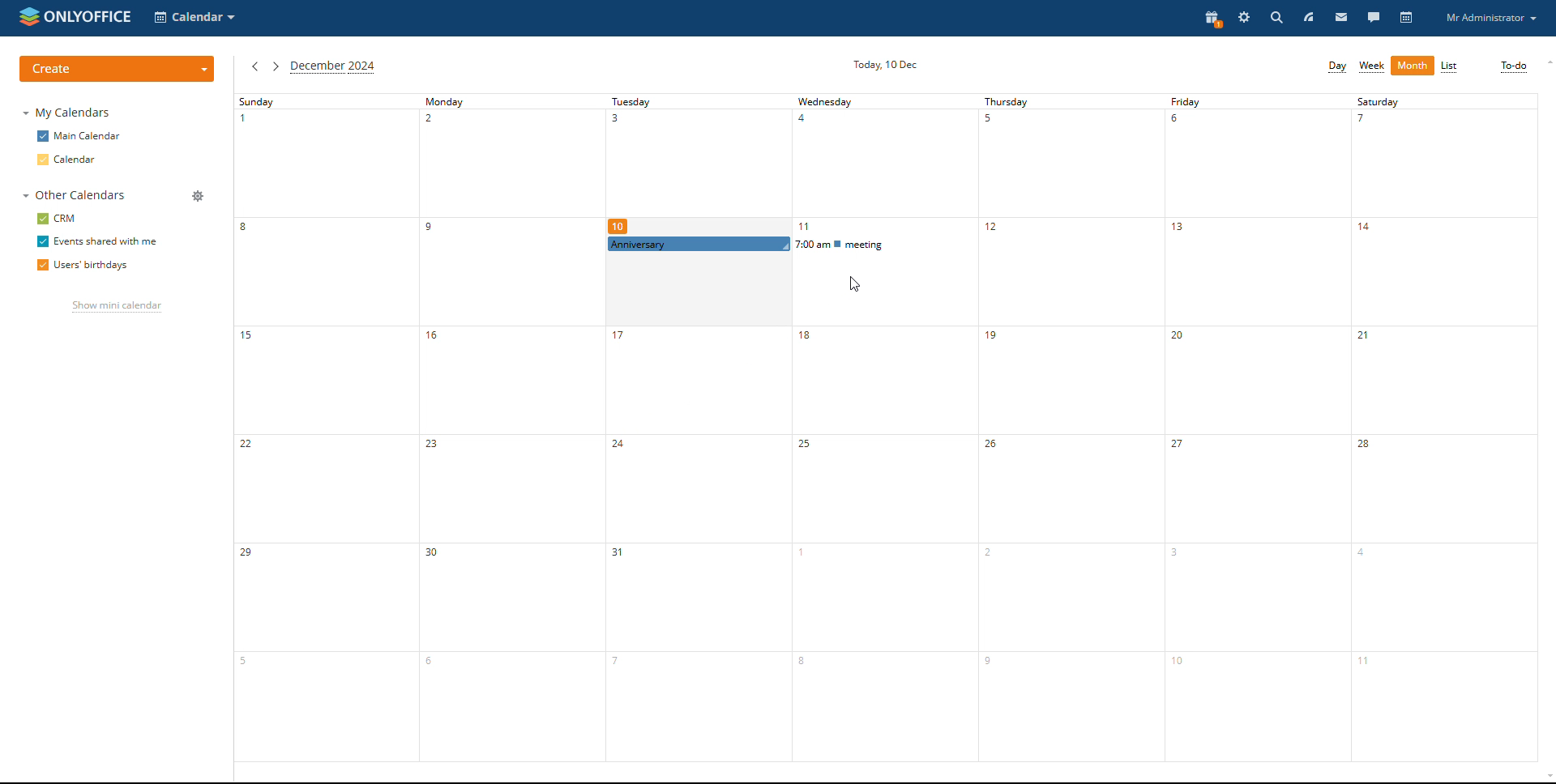 This screenshot has width=1556, height=784. What do you see at coordinates (79, 136) in the screenshot?
I see `main calendar` at bounding box center [79, 136].